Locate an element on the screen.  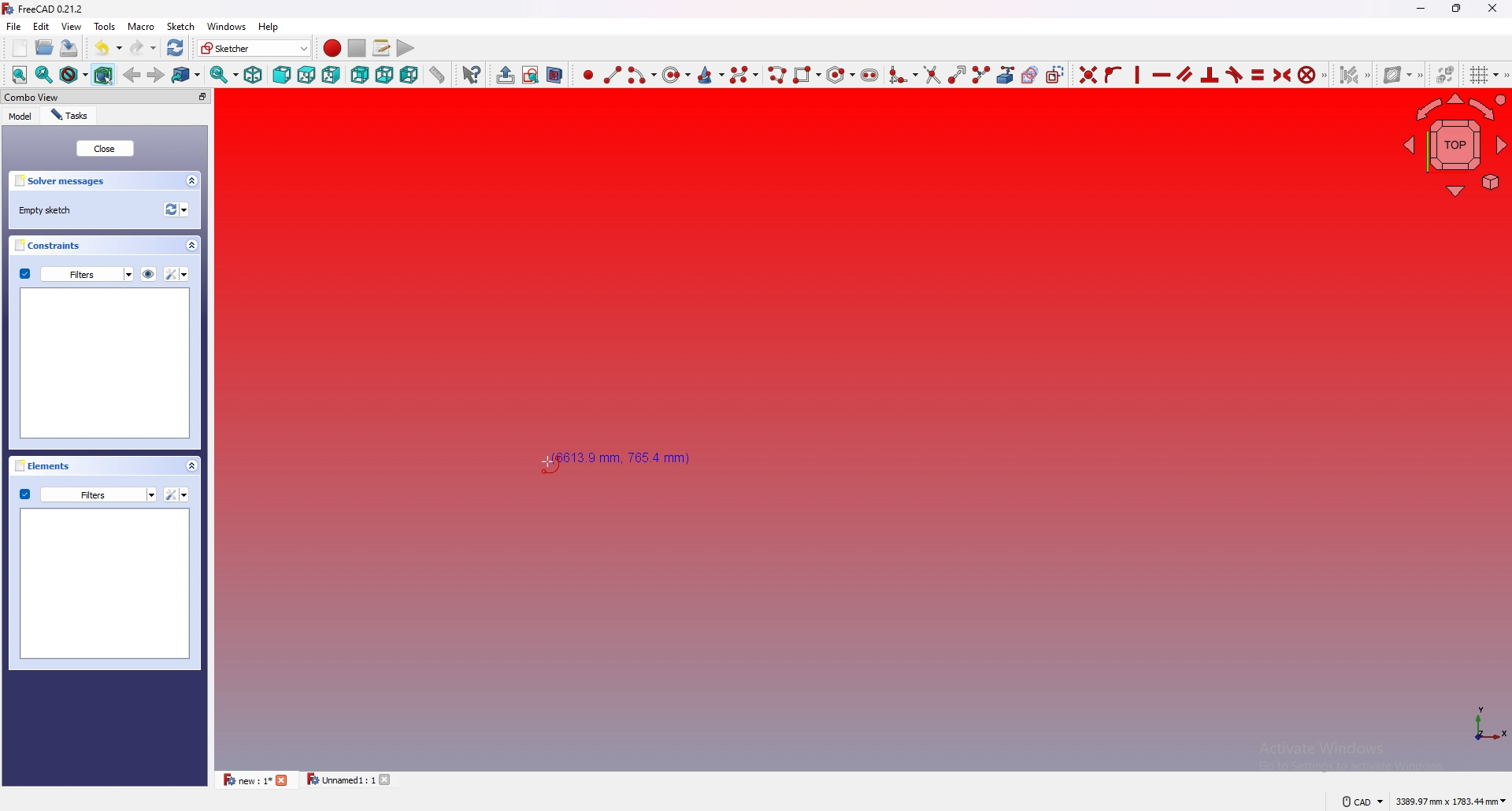
select associated constraints is located at coordinates (1354, 74).